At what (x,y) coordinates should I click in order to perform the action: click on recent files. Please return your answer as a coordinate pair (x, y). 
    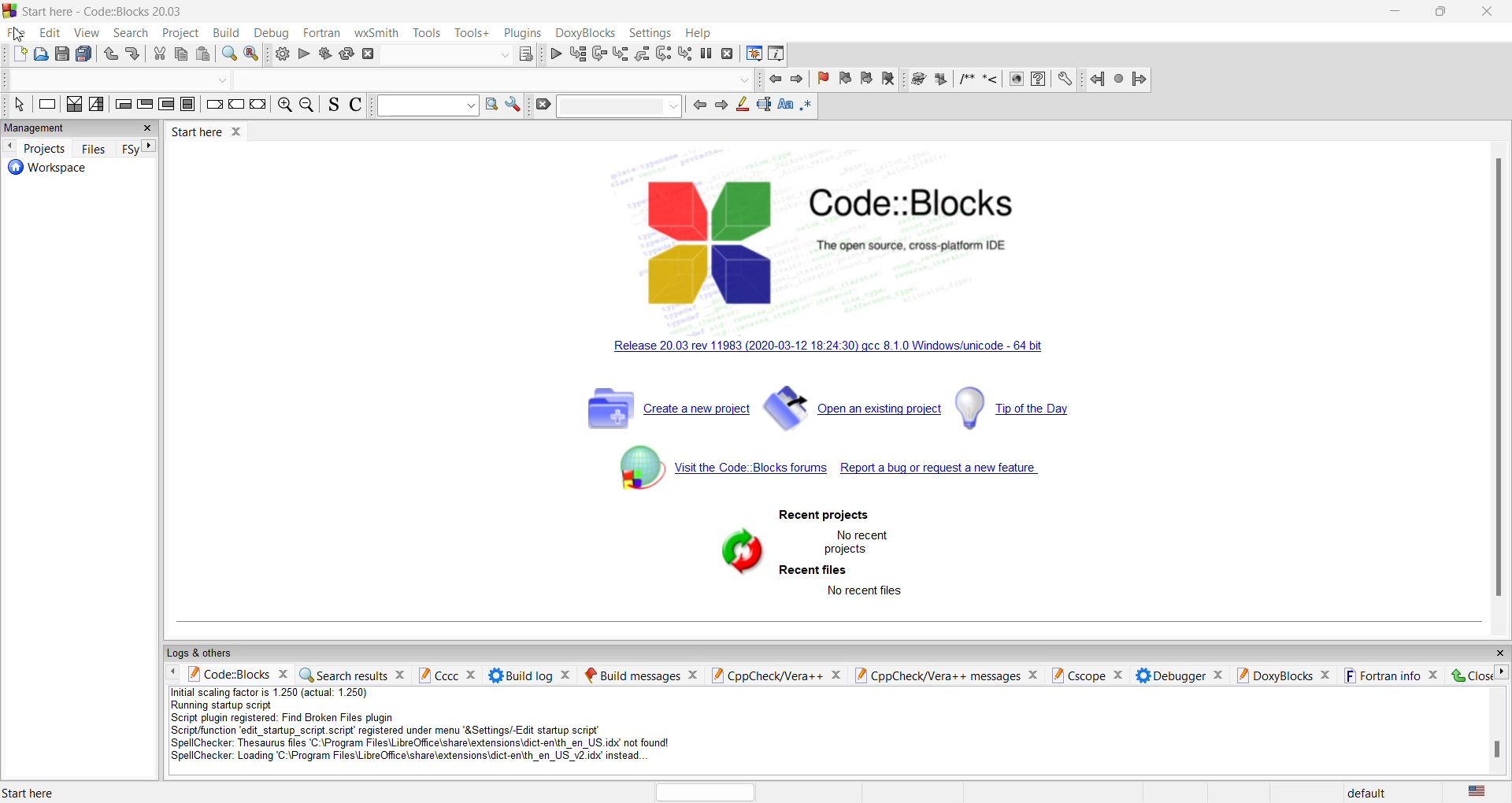
    Looking at the image, I should click on (814, 571).